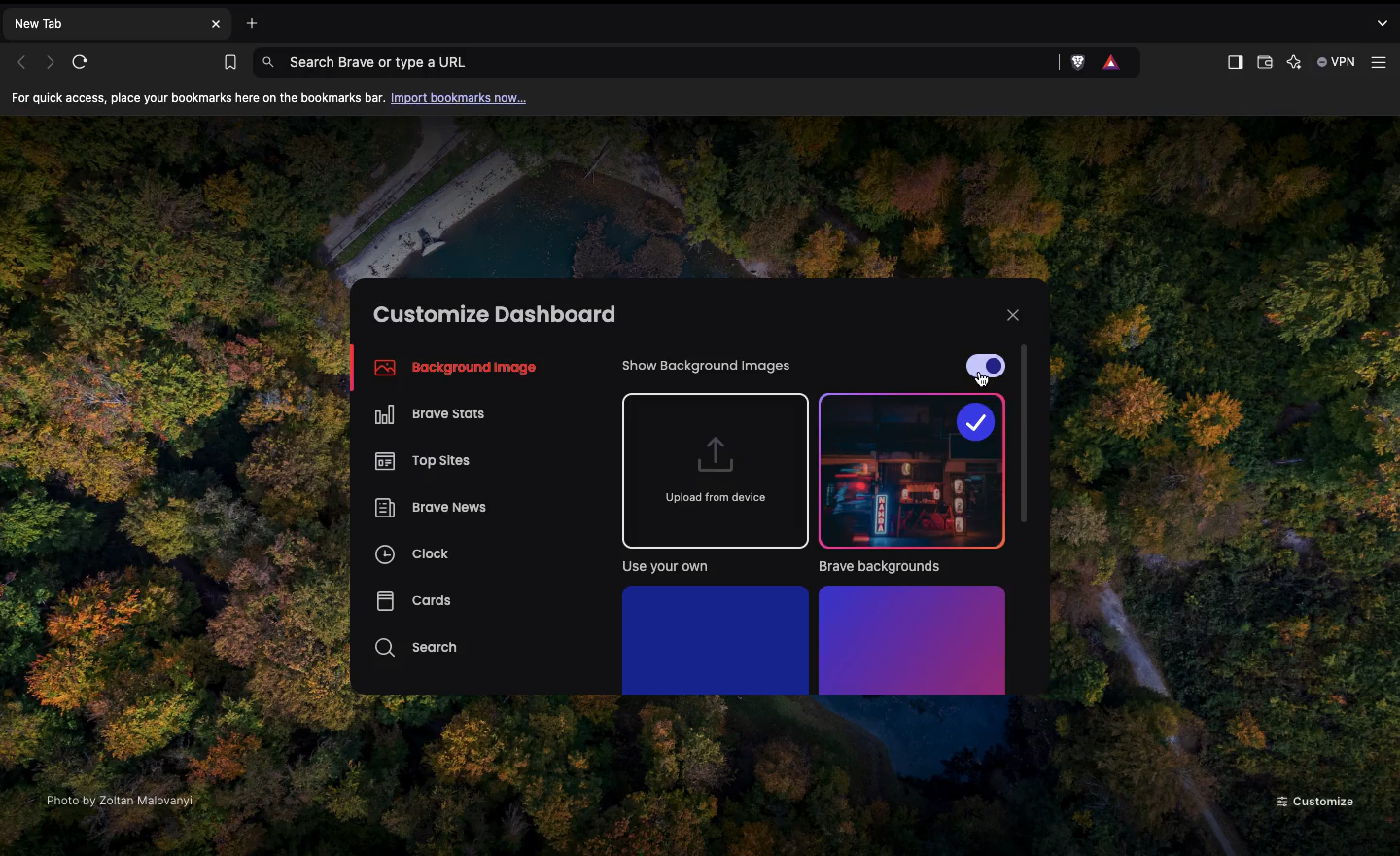 This screenshot has width=1400, height=856. Describe the element at coordinates (1080, 63) in the screenshot. I see `Brave Shields` at that location.